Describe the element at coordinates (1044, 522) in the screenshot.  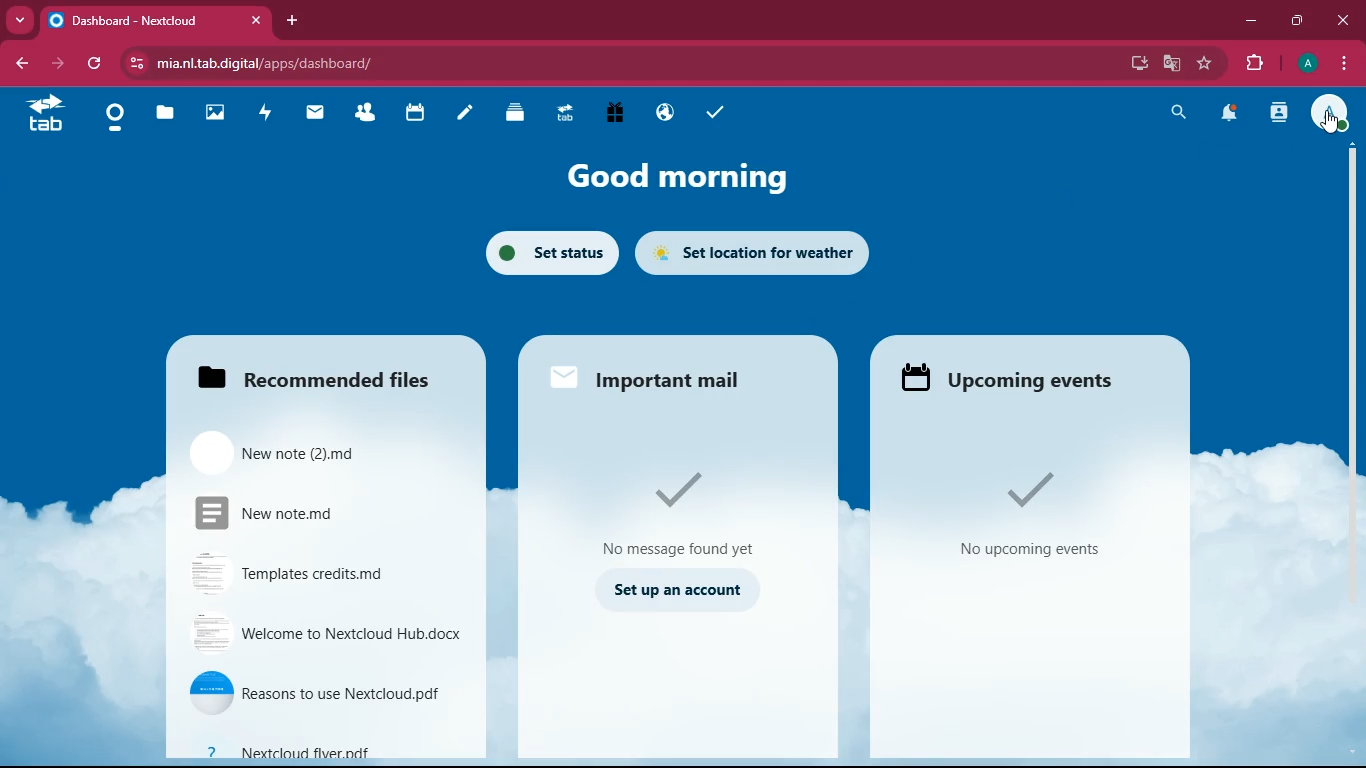
I see `events` at that location.